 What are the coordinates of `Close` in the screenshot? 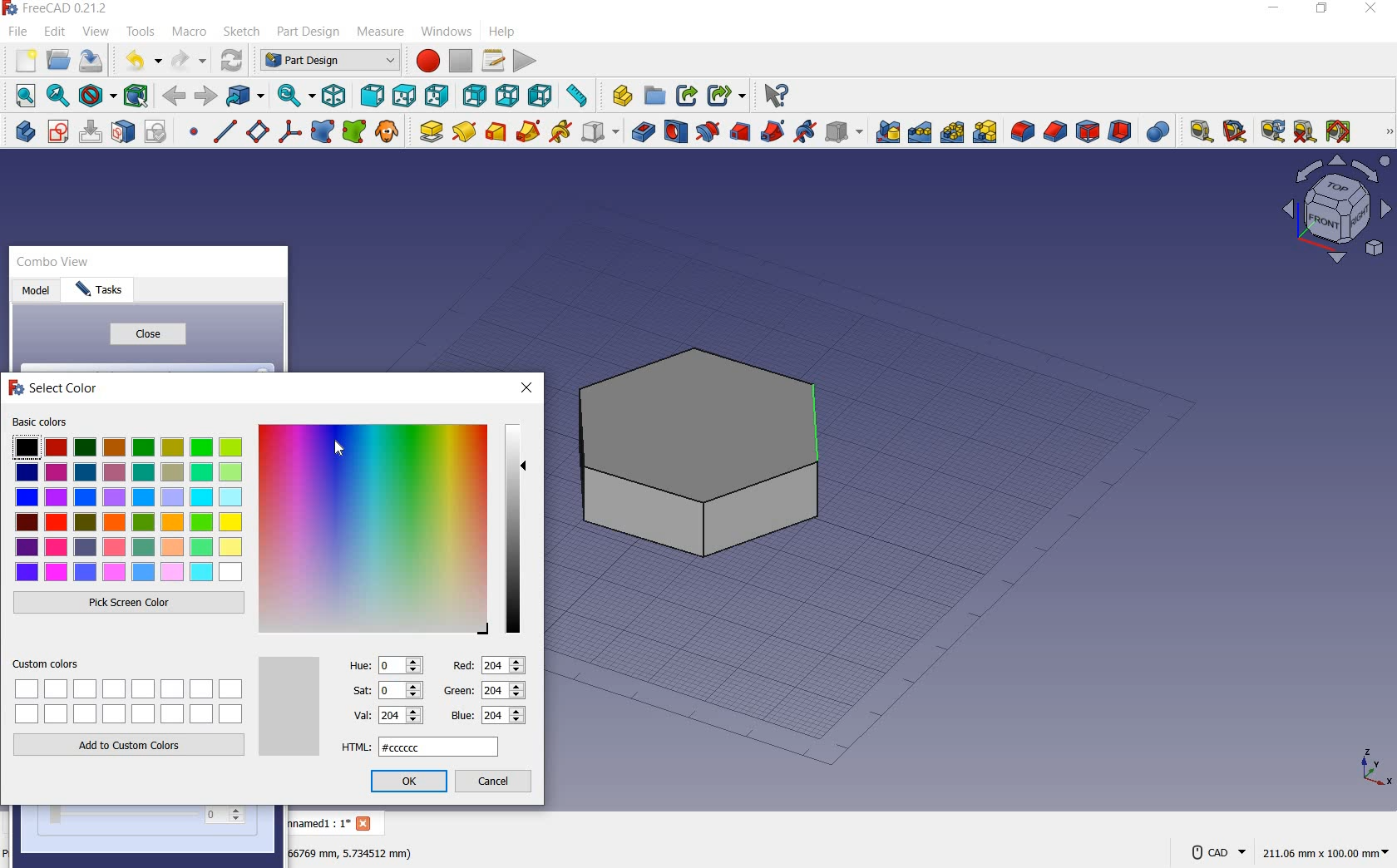 It's located at (366, 825).